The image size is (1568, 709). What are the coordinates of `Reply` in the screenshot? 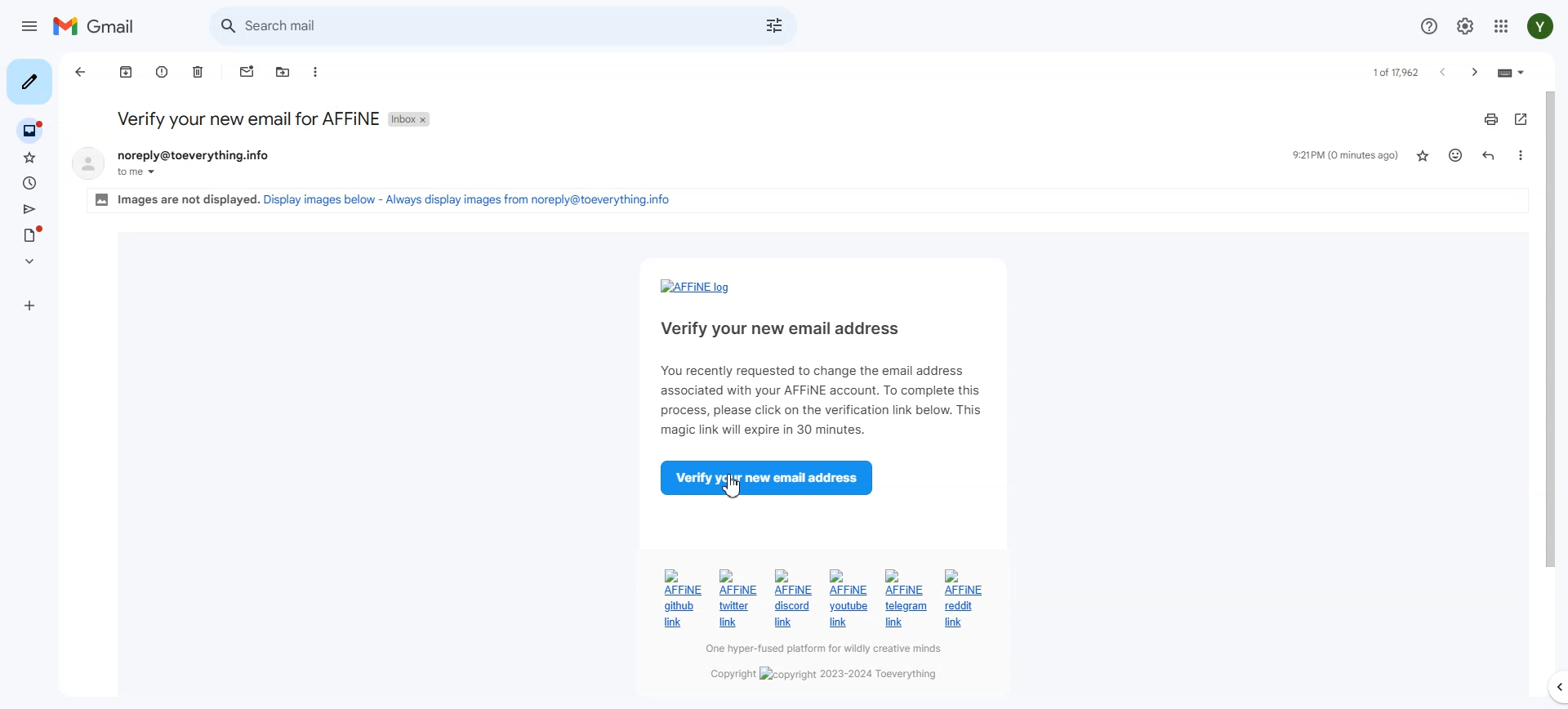 It's located at (1490, 158).